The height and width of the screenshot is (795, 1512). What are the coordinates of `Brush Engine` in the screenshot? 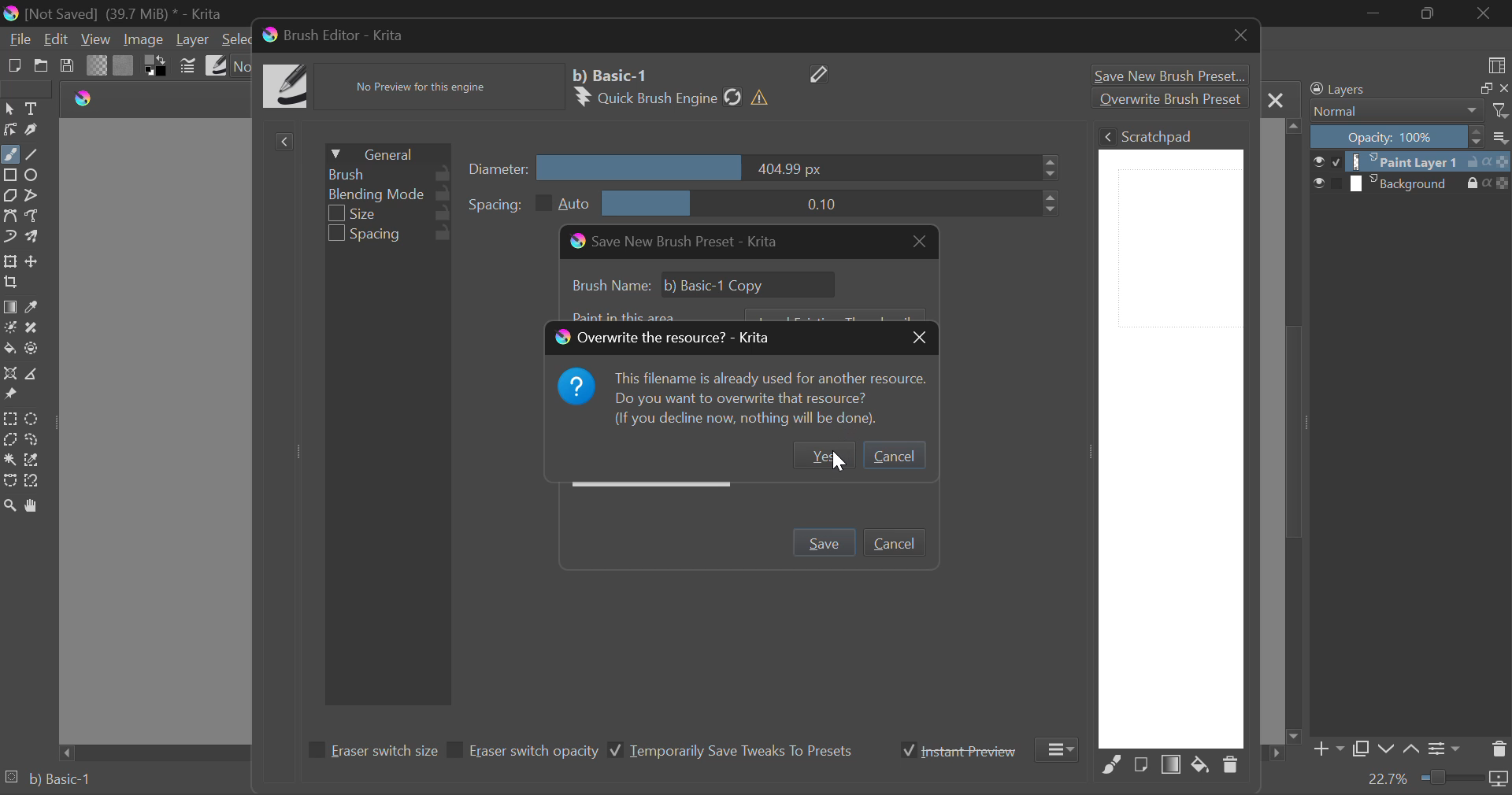 It's located at (675, 98).